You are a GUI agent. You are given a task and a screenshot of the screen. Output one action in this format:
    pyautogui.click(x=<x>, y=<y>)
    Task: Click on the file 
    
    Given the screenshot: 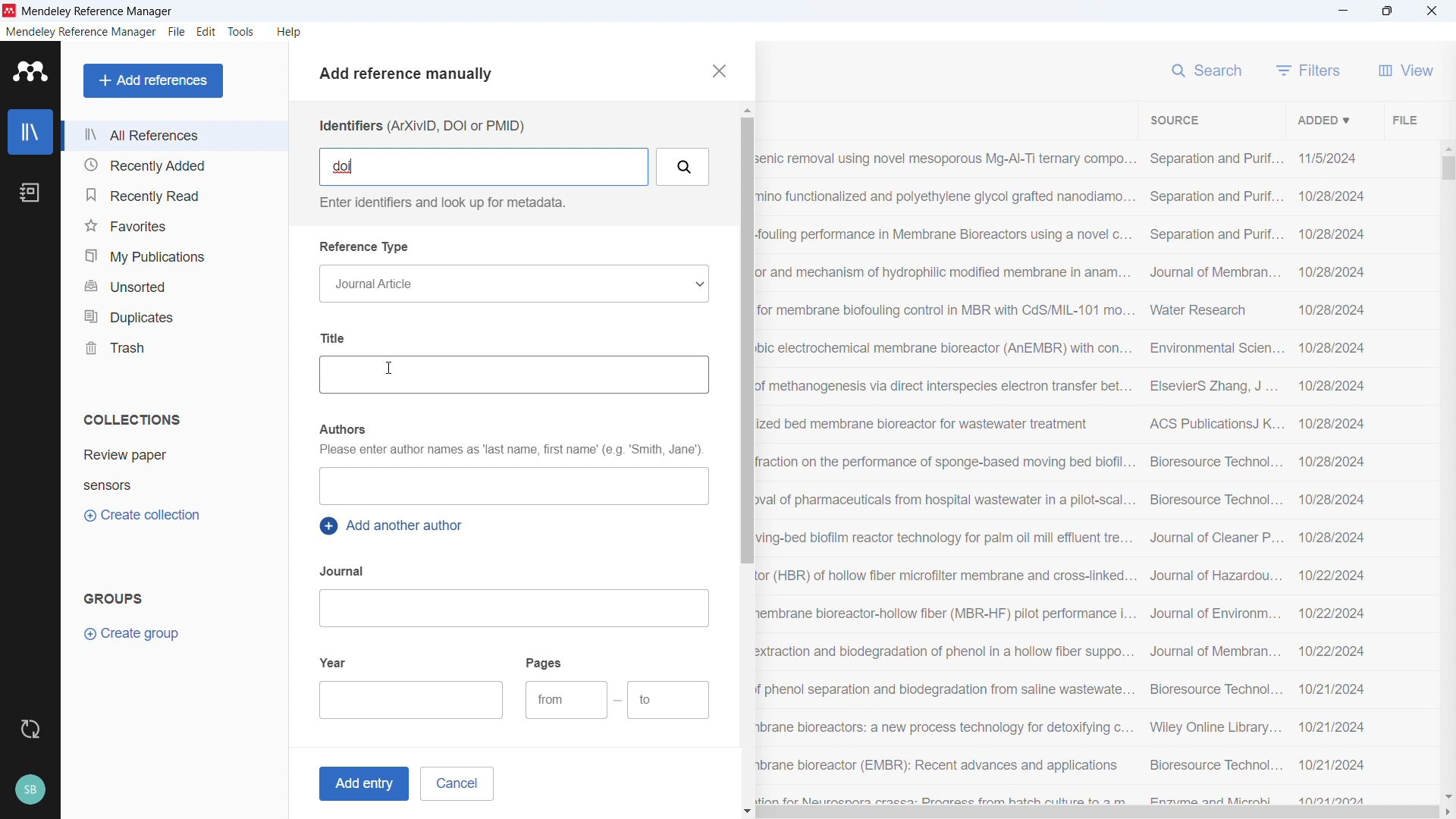 What is the action you would take?
    pyautogui.click(x=176, y=33)
    